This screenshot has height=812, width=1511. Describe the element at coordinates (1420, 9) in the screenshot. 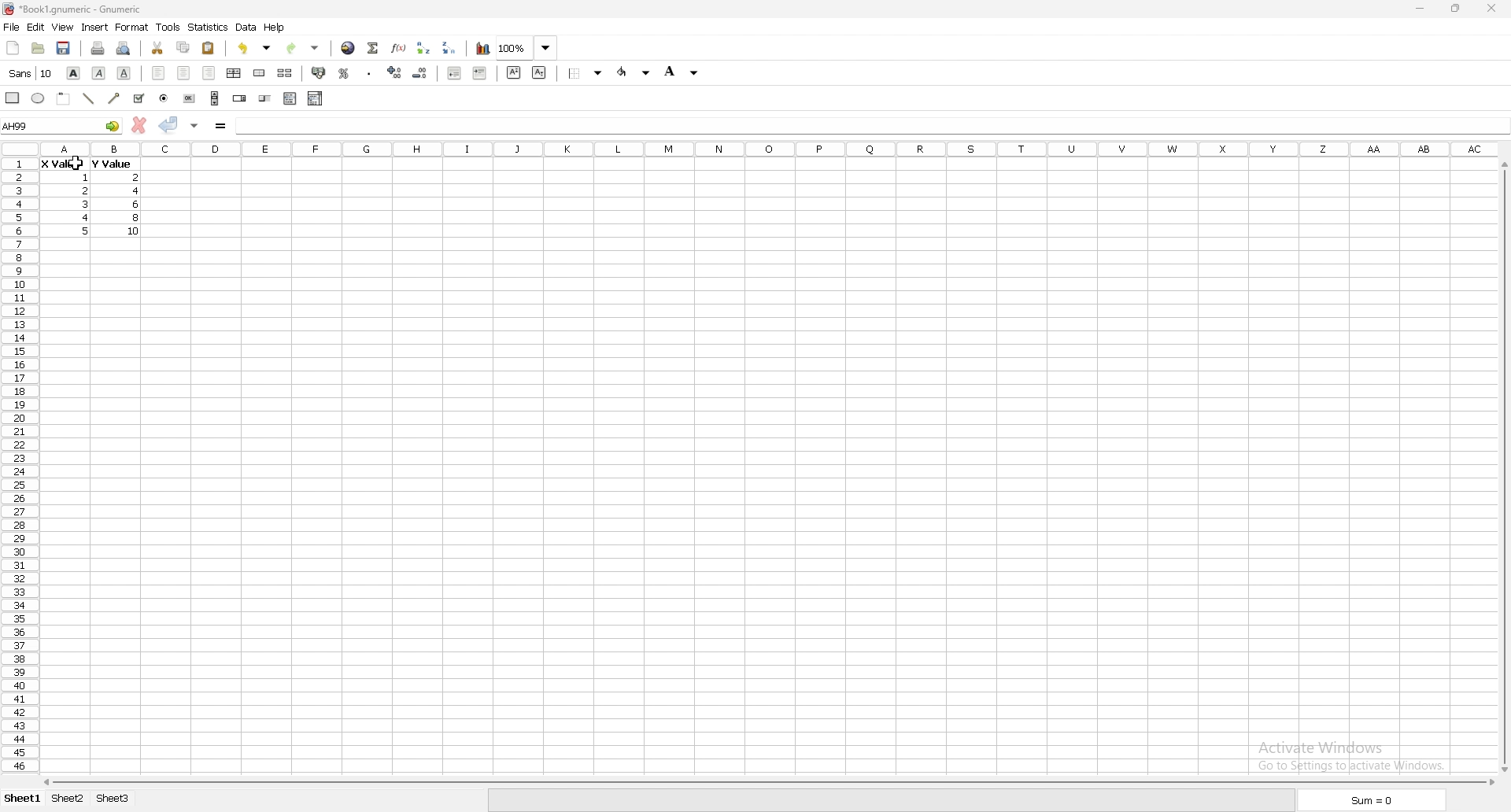

I see `minimize` at that location.